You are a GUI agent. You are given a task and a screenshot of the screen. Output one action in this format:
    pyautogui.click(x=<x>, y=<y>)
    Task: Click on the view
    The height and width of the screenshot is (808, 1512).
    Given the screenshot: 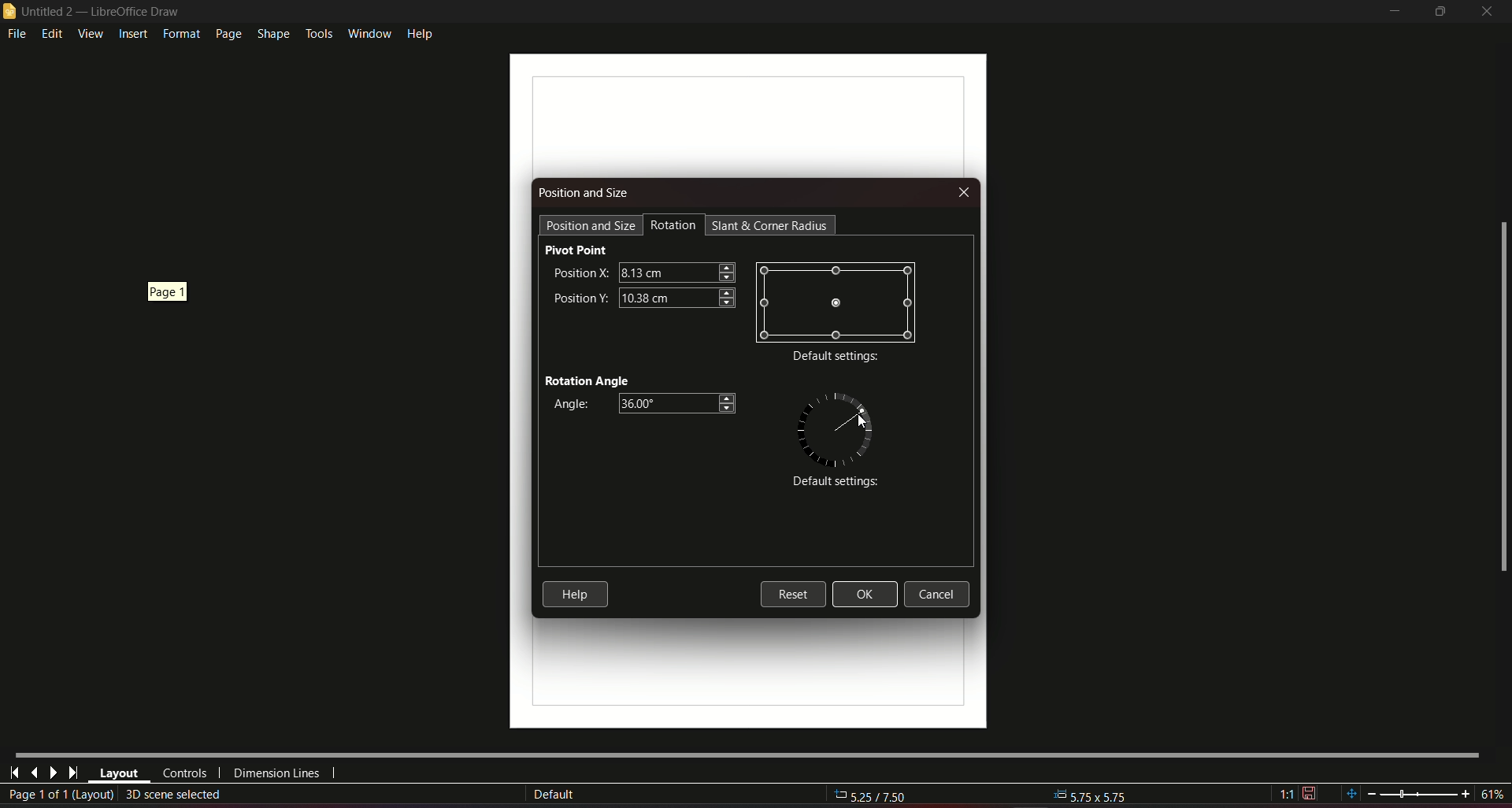 What is the action you would take?
    pyautogui.click(x=90, y=33)
    